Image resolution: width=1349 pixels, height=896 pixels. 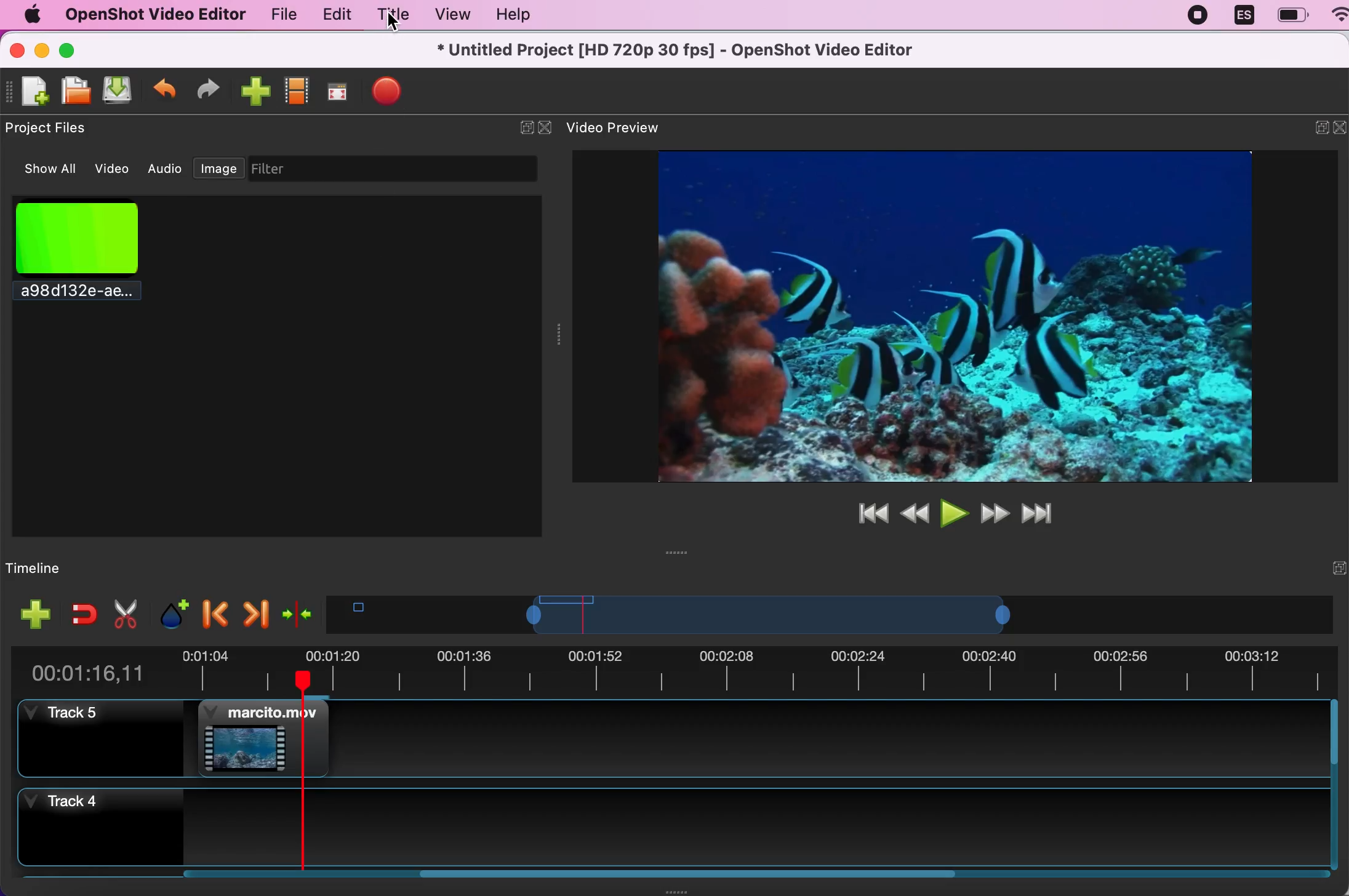 What do you see at coordinates (452, 14) in the screenshot?
I see `view` at bounding box center [452, 14].